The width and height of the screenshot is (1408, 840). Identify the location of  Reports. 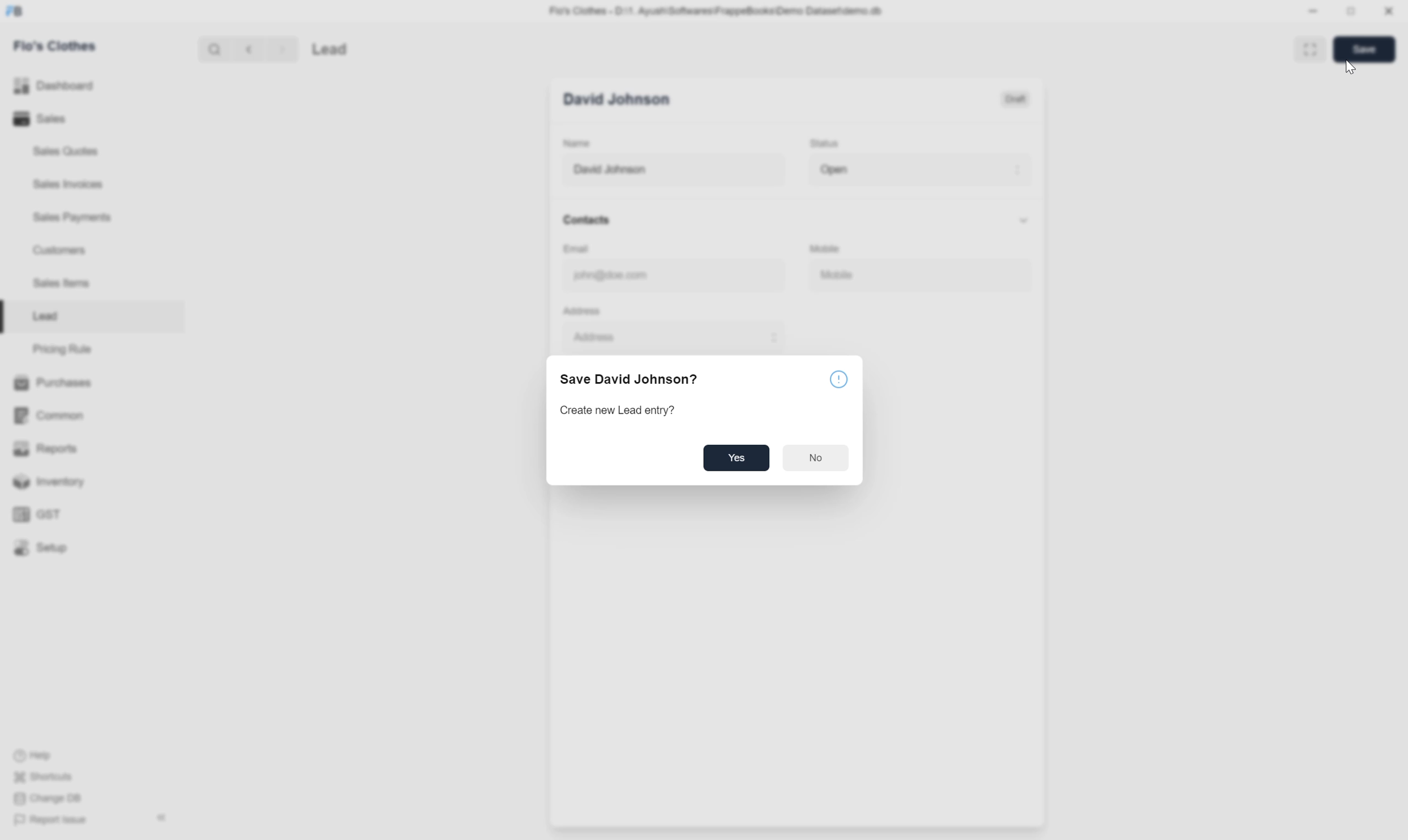
(41, 447).